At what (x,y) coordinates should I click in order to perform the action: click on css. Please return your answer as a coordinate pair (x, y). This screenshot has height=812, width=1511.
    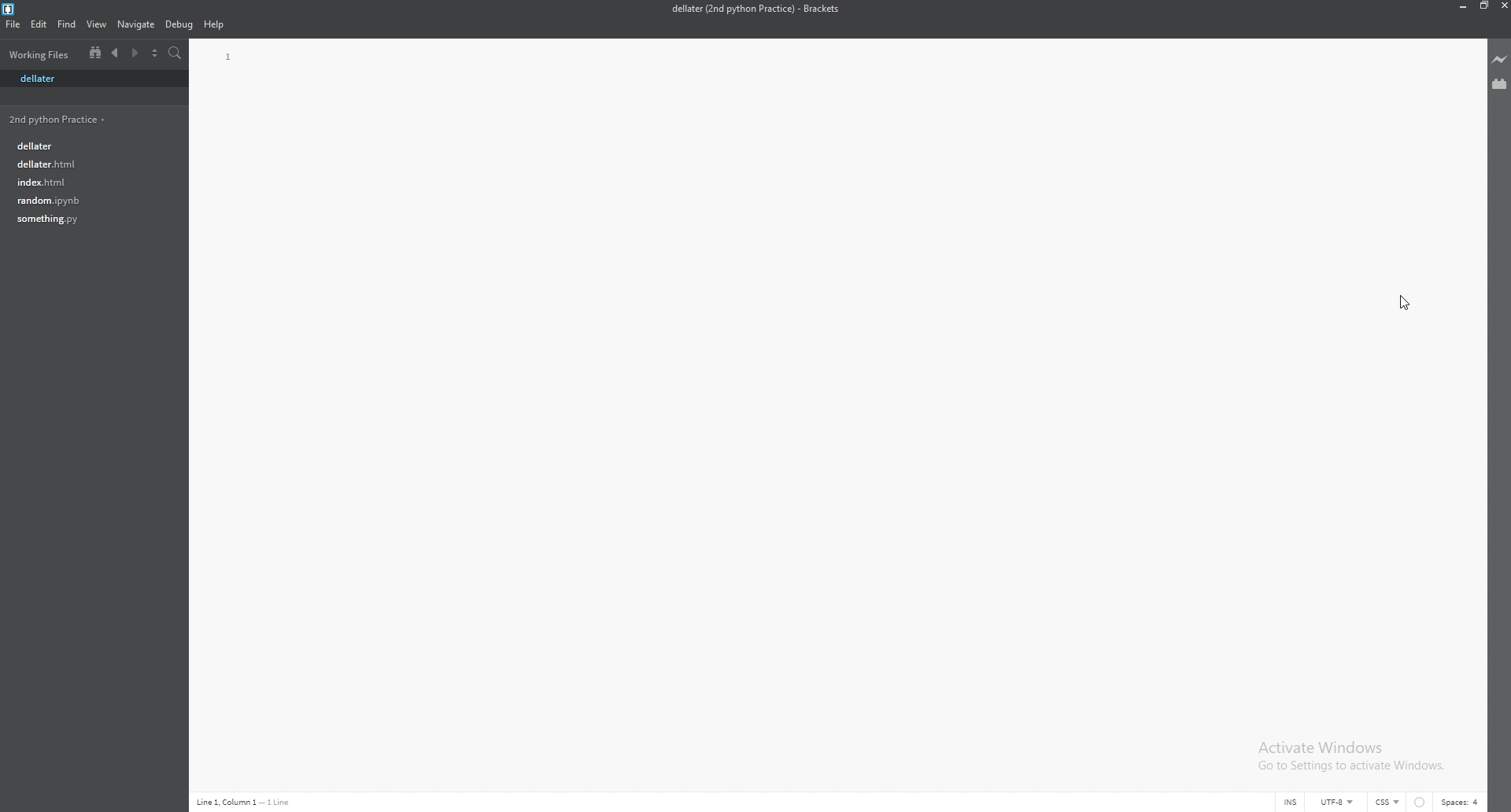
    Looking at the image, I should click on (1388, 802).